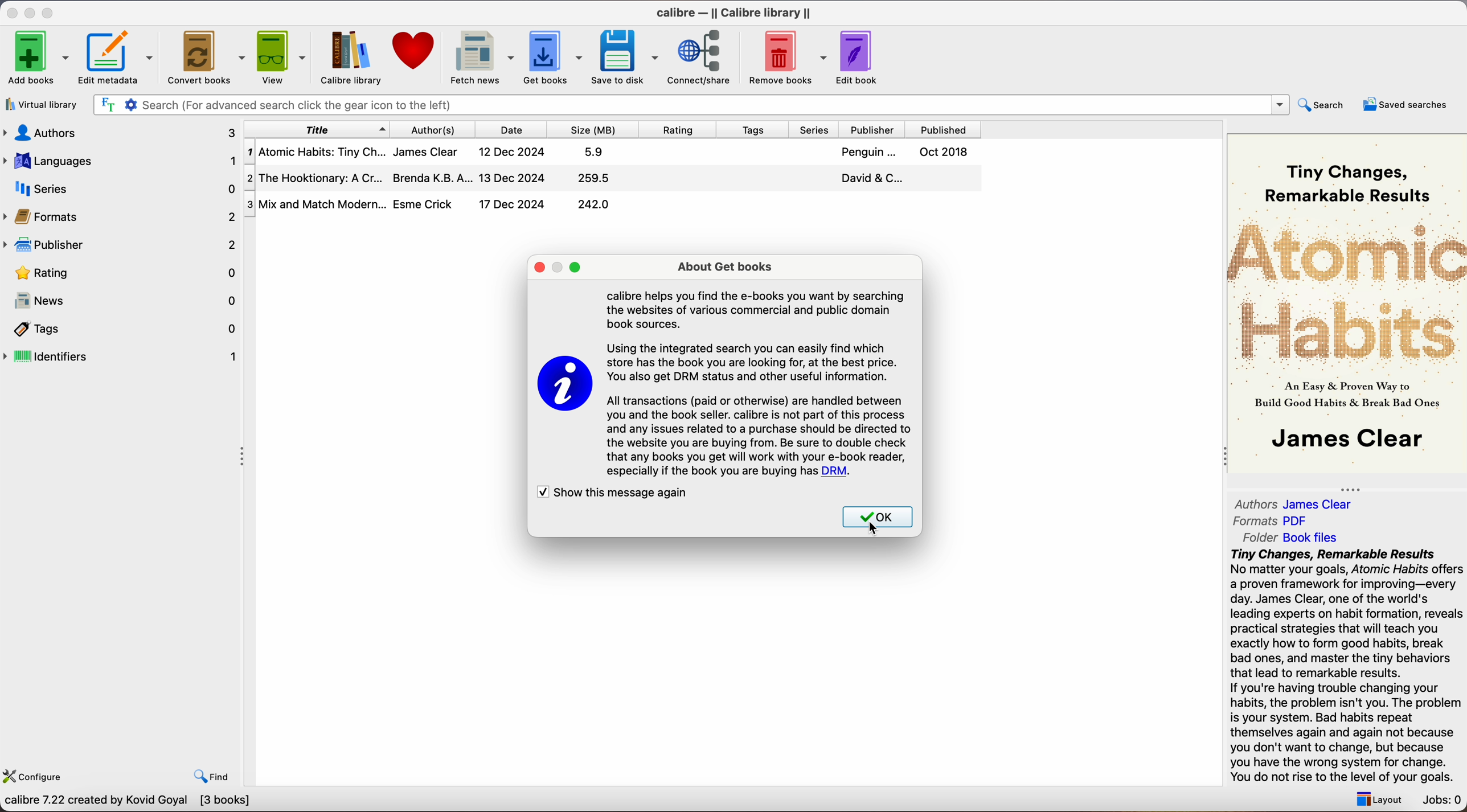 The width and height of the screenshot is (1467, 812). Describe the element at coordinates (42, 106) in the screenshot. I see `virtual library` at that location.